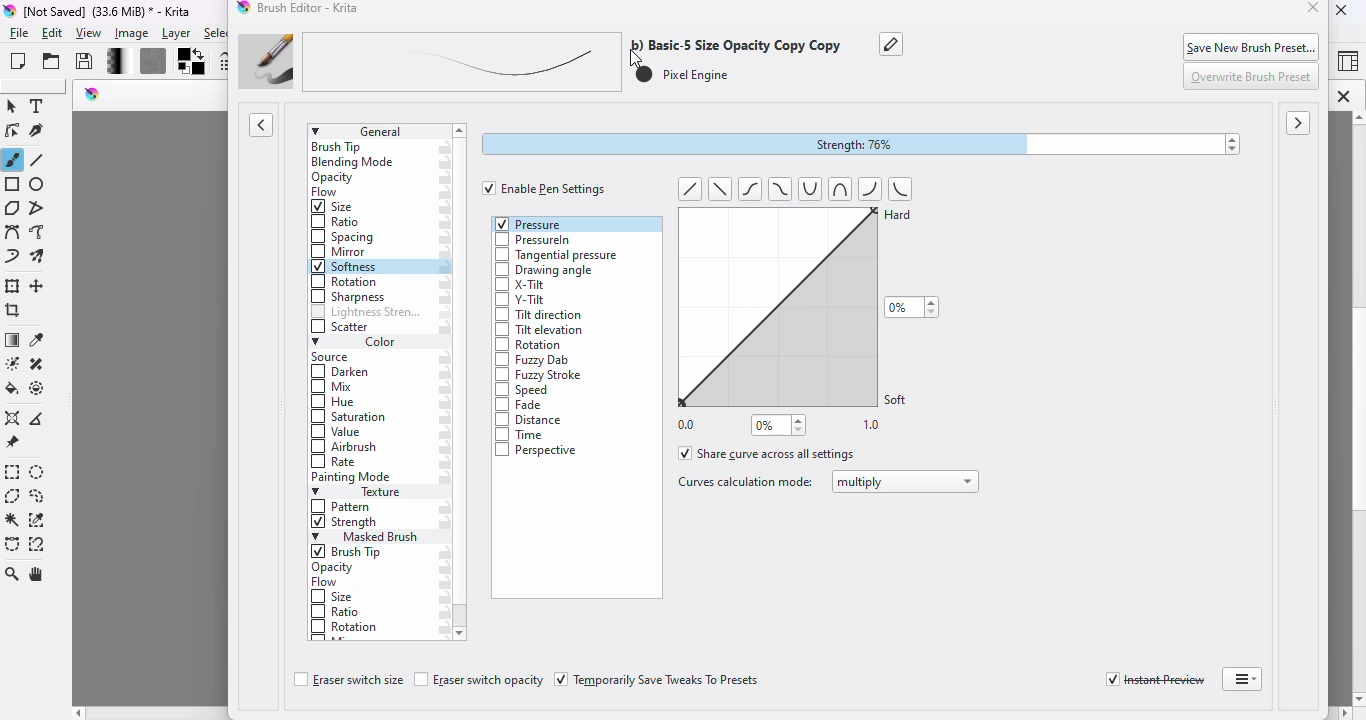 The image size is (1366, 720). Describe the element at coordinates (38, 520) in the screenshot. I see `similar color selection tool` at that location.